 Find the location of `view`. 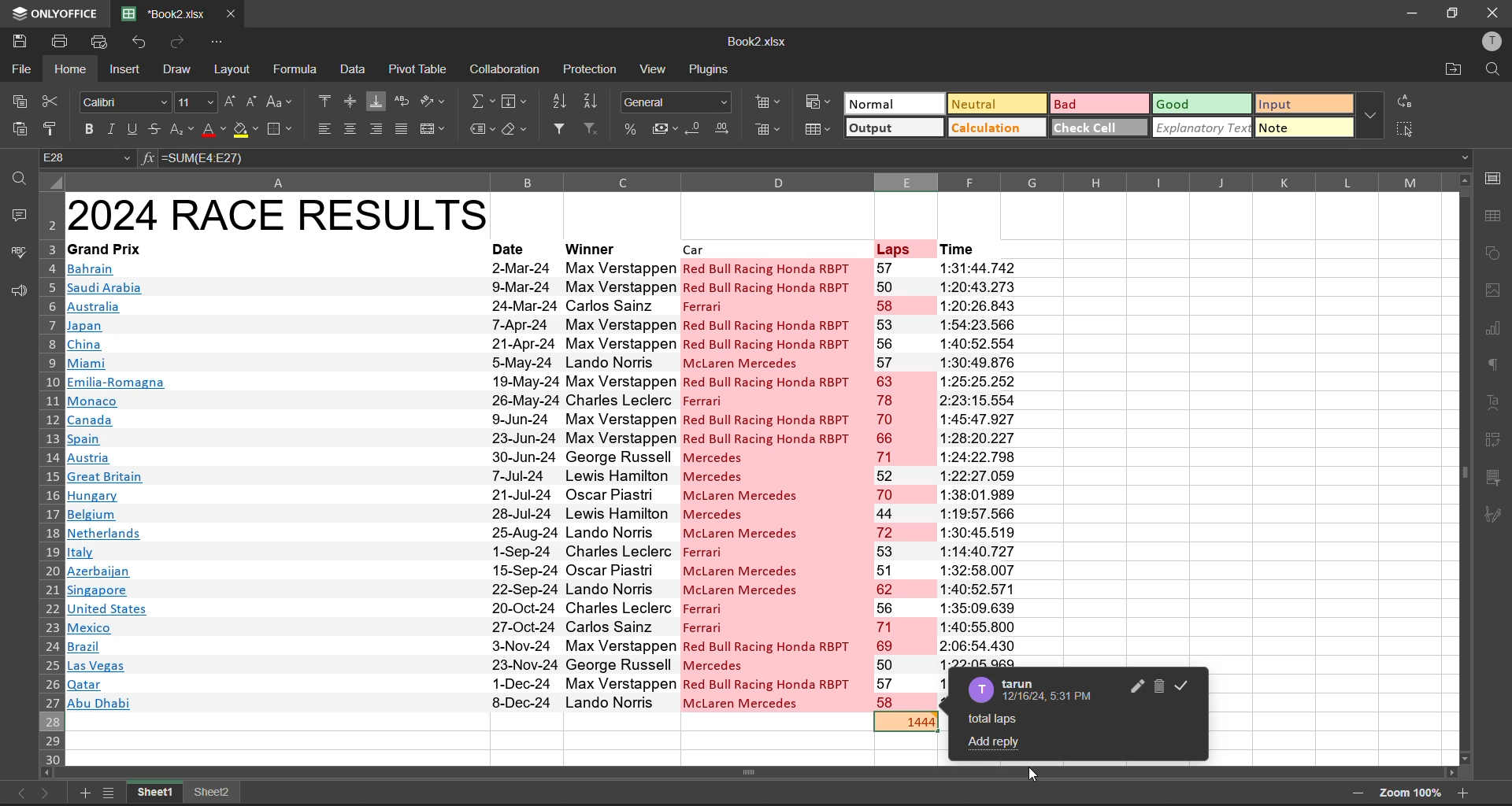

view is located at coordinates (656, 70).